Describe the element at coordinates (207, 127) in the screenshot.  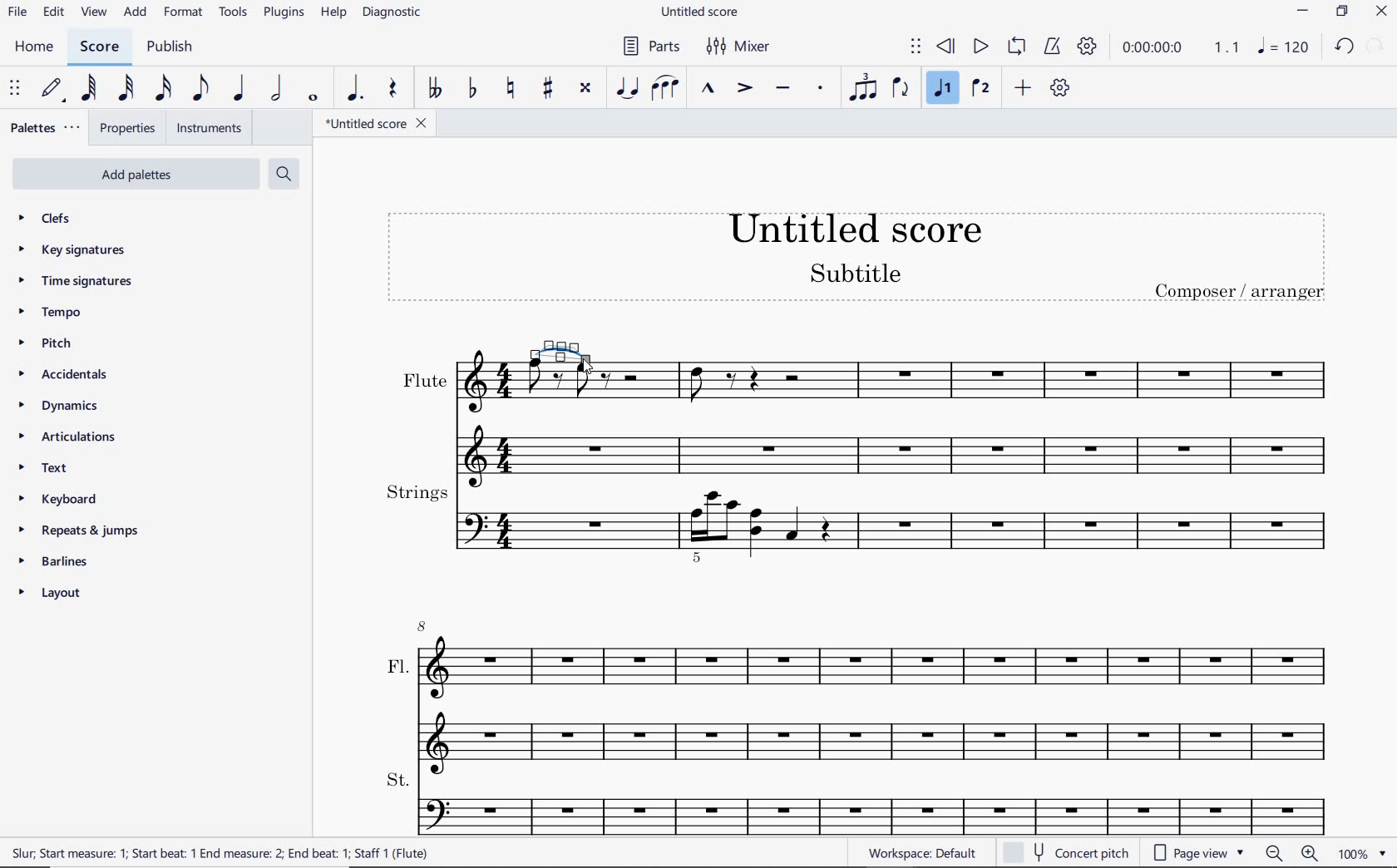
I see `INSTRUMENTS` at that location.